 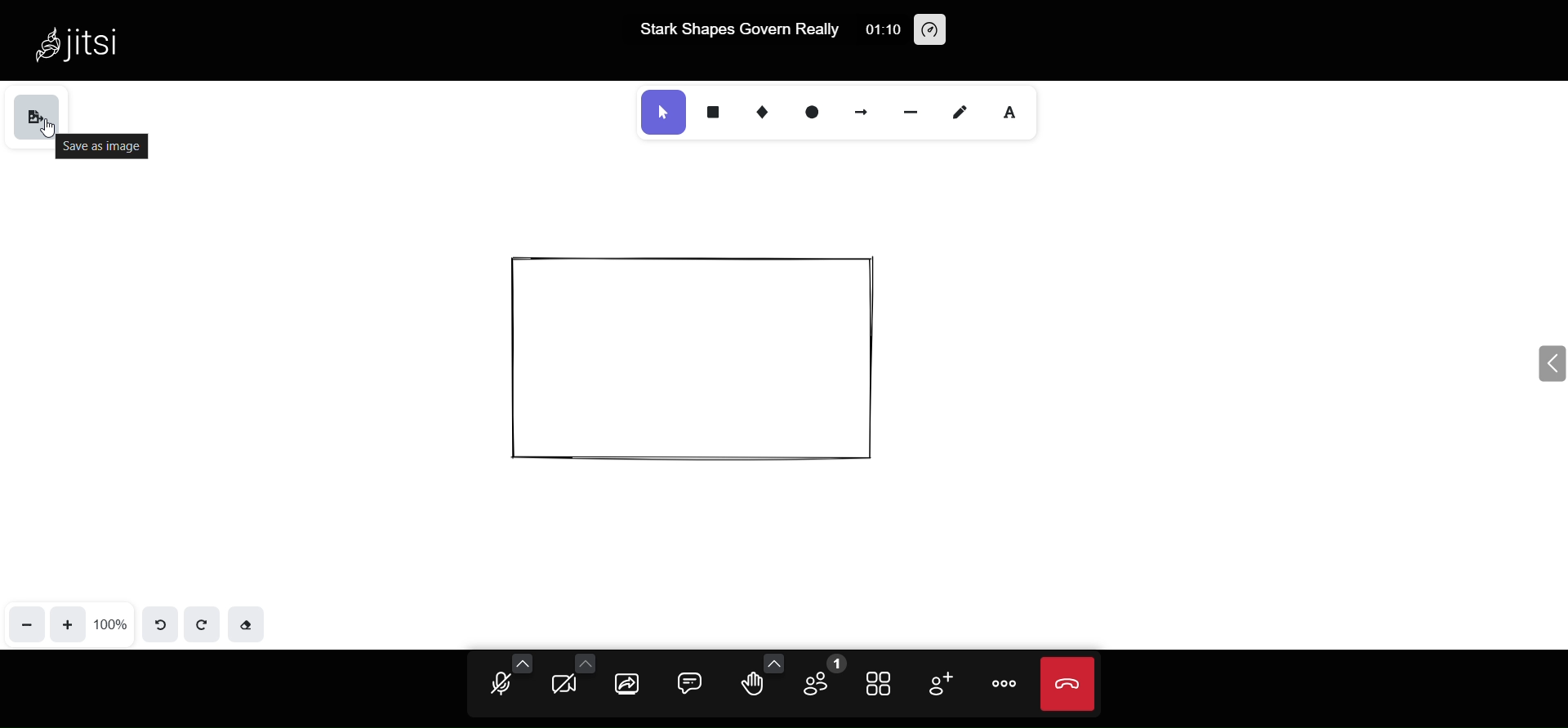 What do you see at coordinates (158, 624) in the screenshot?
I see `undo` at bounding box center [158, 624].